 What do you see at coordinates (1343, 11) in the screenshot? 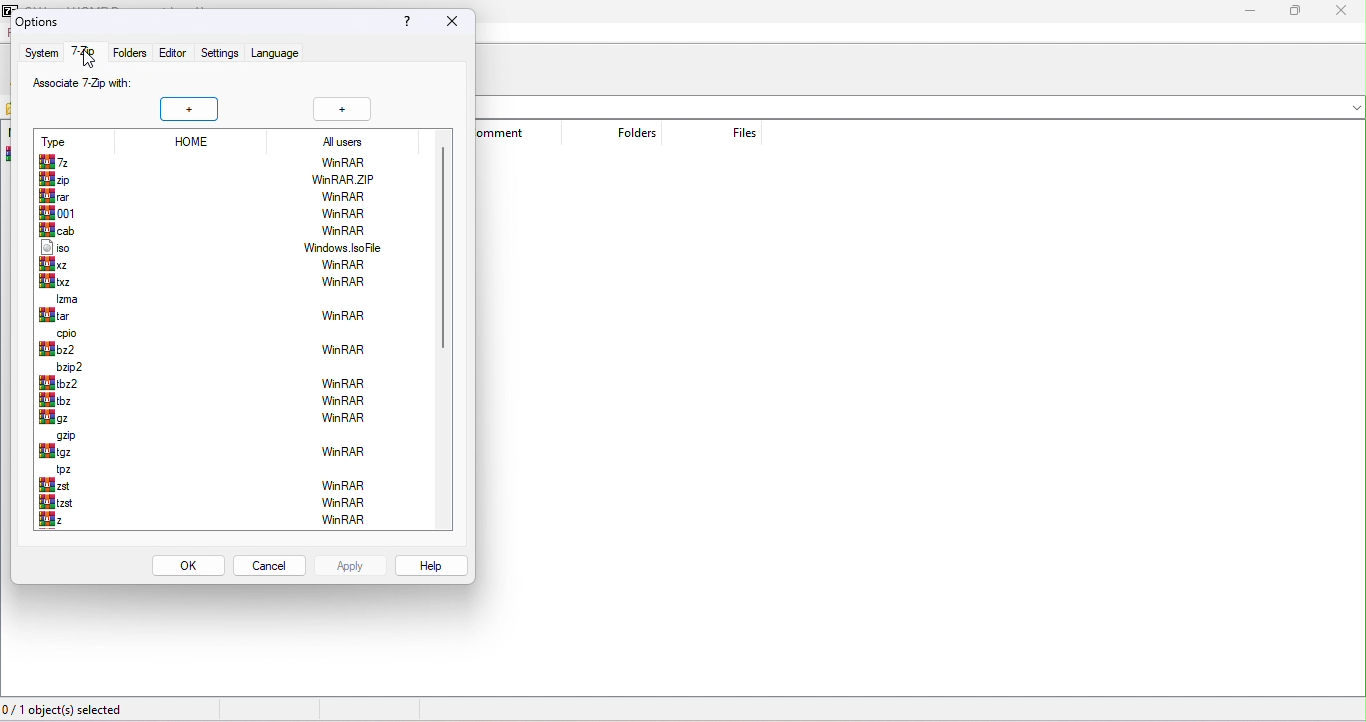
I see `close` at bounding box center [1343, 11].